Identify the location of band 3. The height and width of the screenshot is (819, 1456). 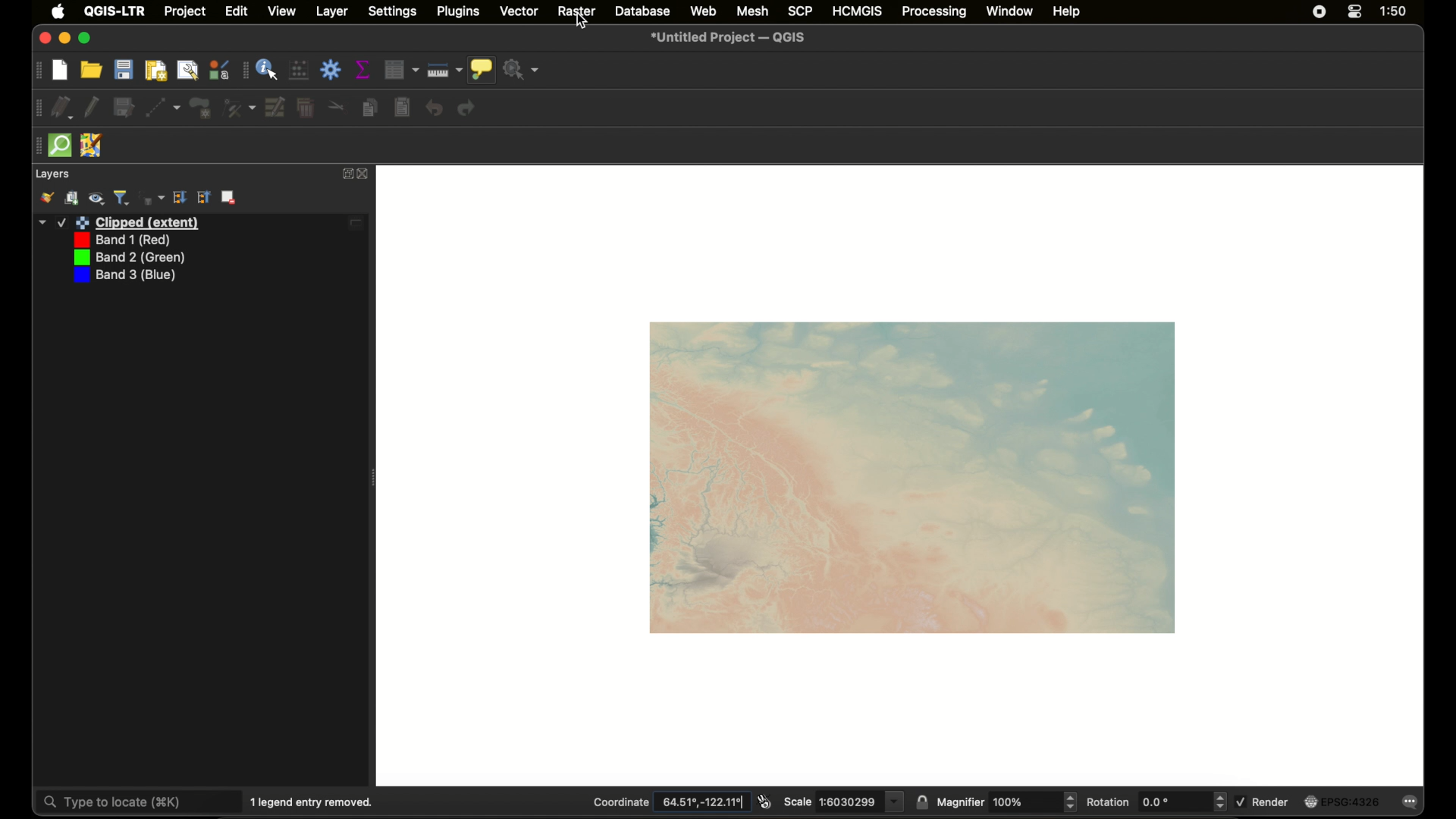
(124, 276).